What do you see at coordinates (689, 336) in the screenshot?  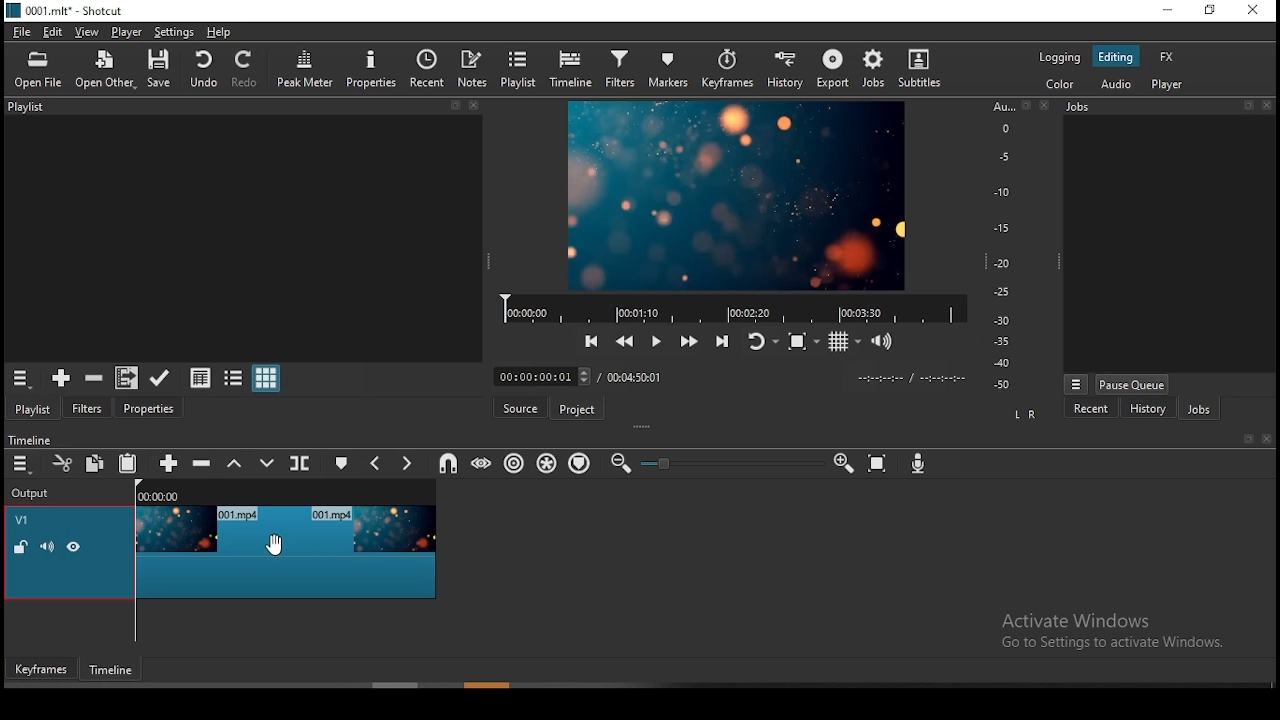 I see `play quickly forward` at bounding box center [689, 336].